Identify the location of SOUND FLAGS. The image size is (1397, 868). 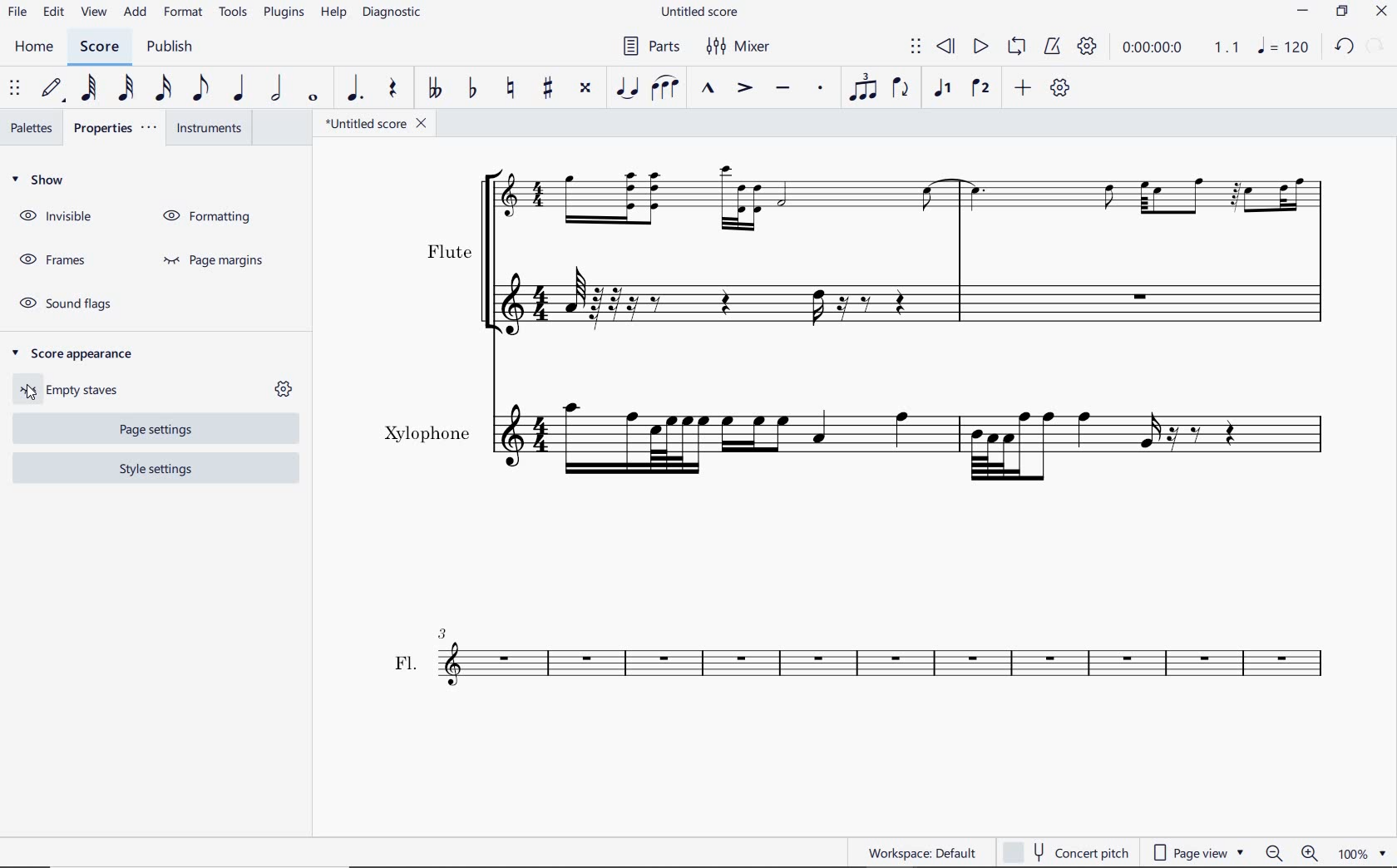
(60, 302).